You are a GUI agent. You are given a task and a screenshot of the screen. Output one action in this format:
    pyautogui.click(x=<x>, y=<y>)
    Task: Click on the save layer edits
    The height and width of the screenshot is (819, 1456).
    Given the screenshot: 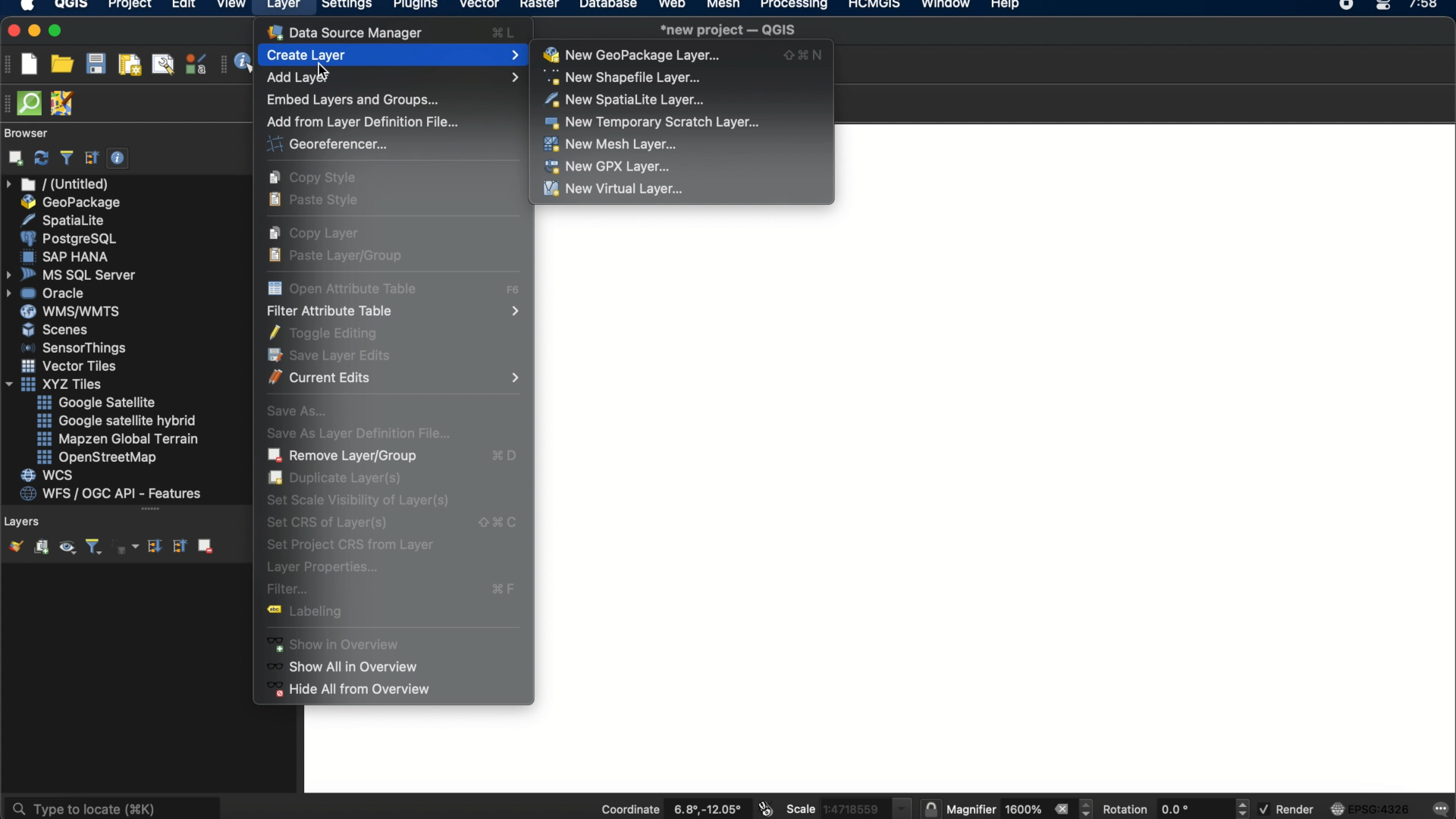 What is the action you would take?
    pyautogui.click(x=329, y=355)
    